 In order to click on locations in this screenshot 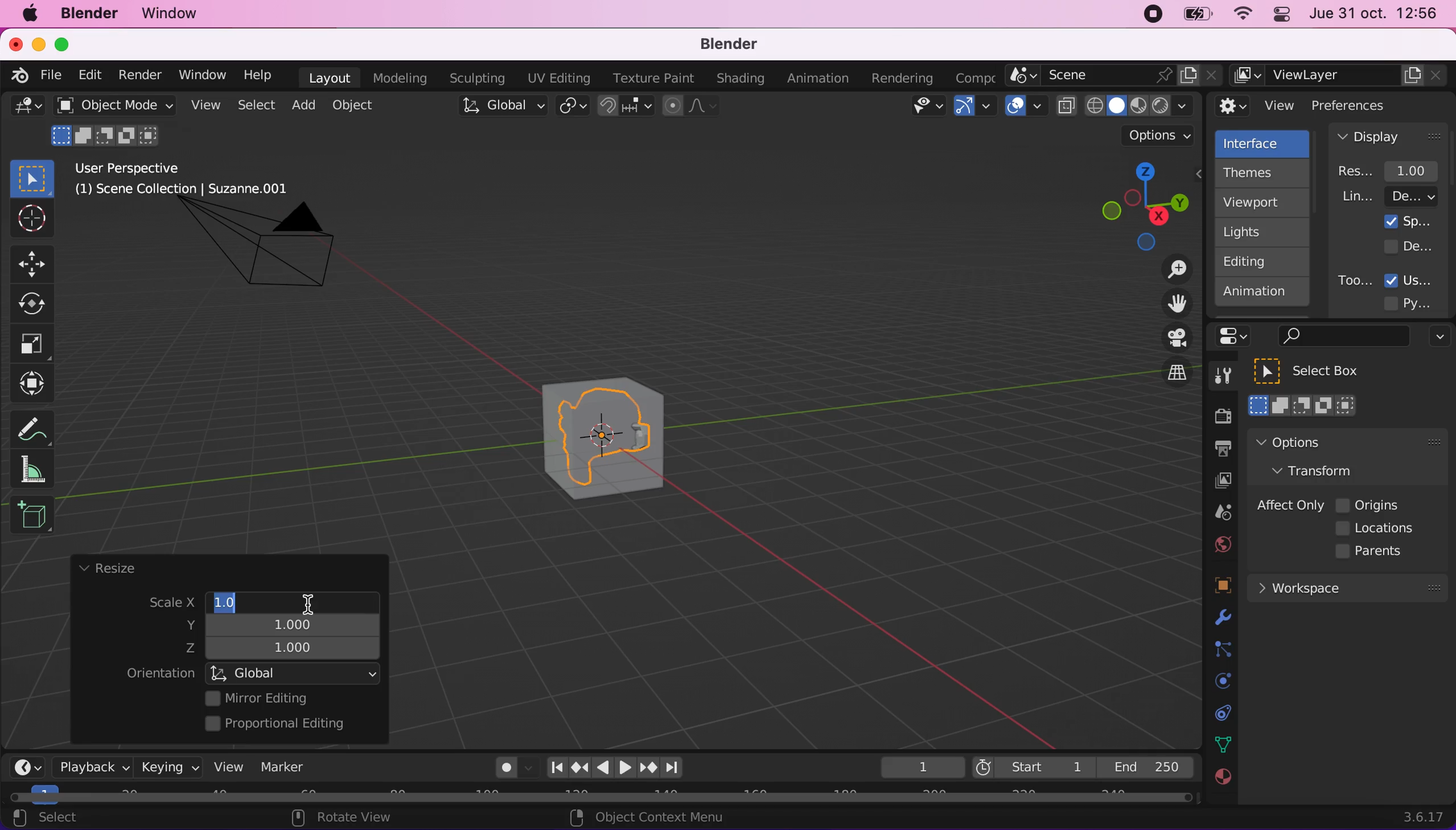, I will do `click(1378, 528)`.